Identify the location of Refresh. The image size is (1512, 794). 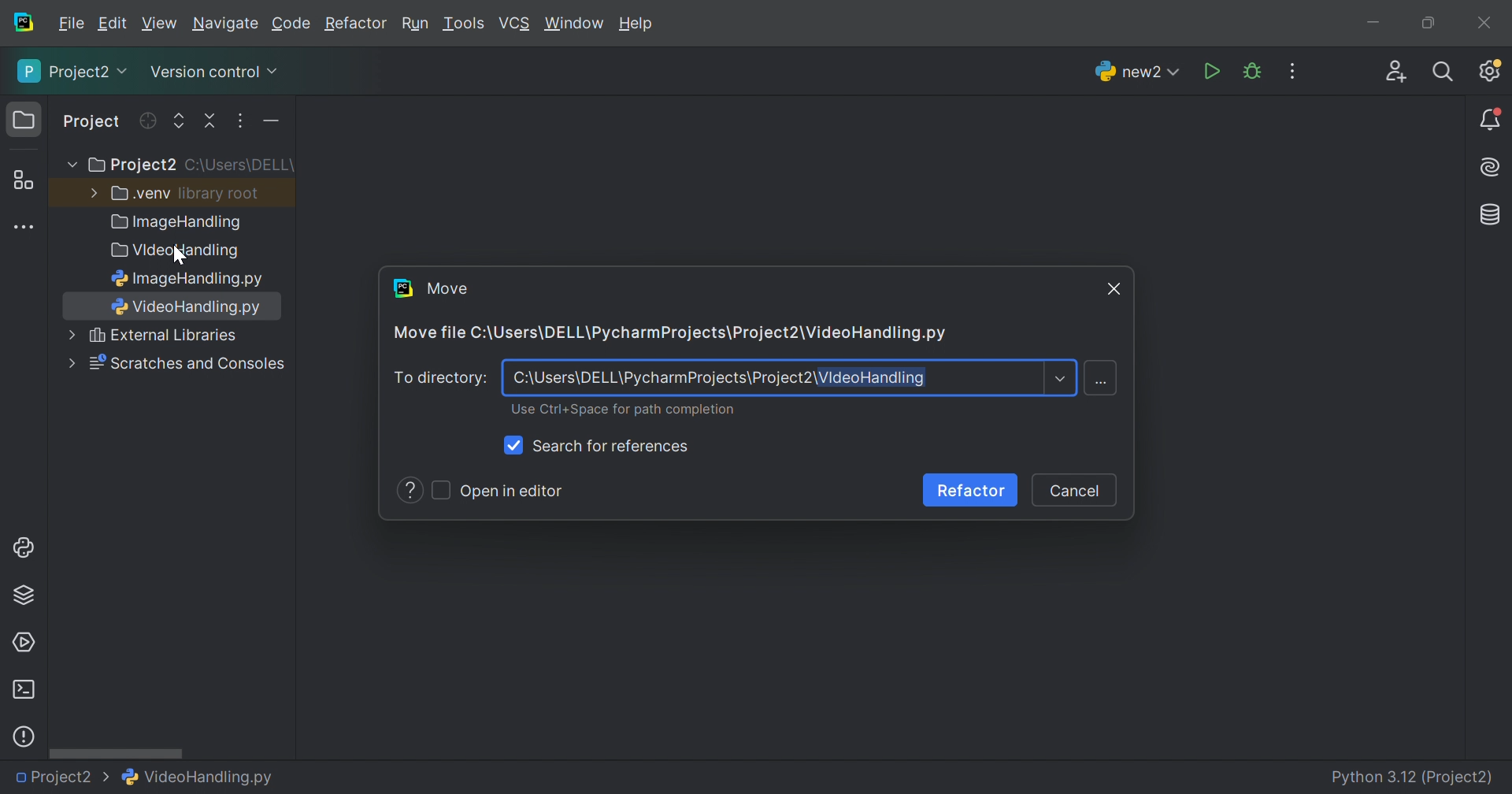
(146, 121).